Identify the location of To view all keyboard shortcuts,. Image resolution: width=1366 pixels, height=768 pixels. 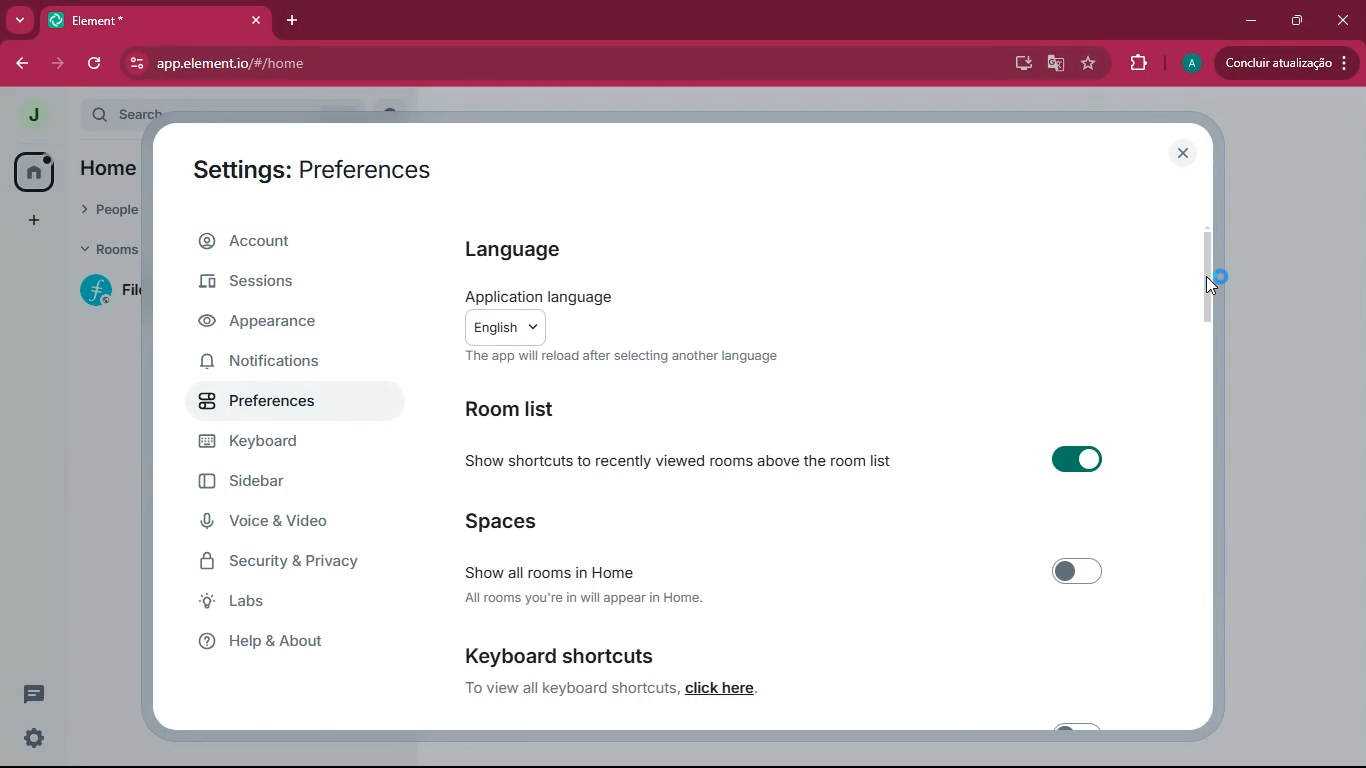
(570, 687).